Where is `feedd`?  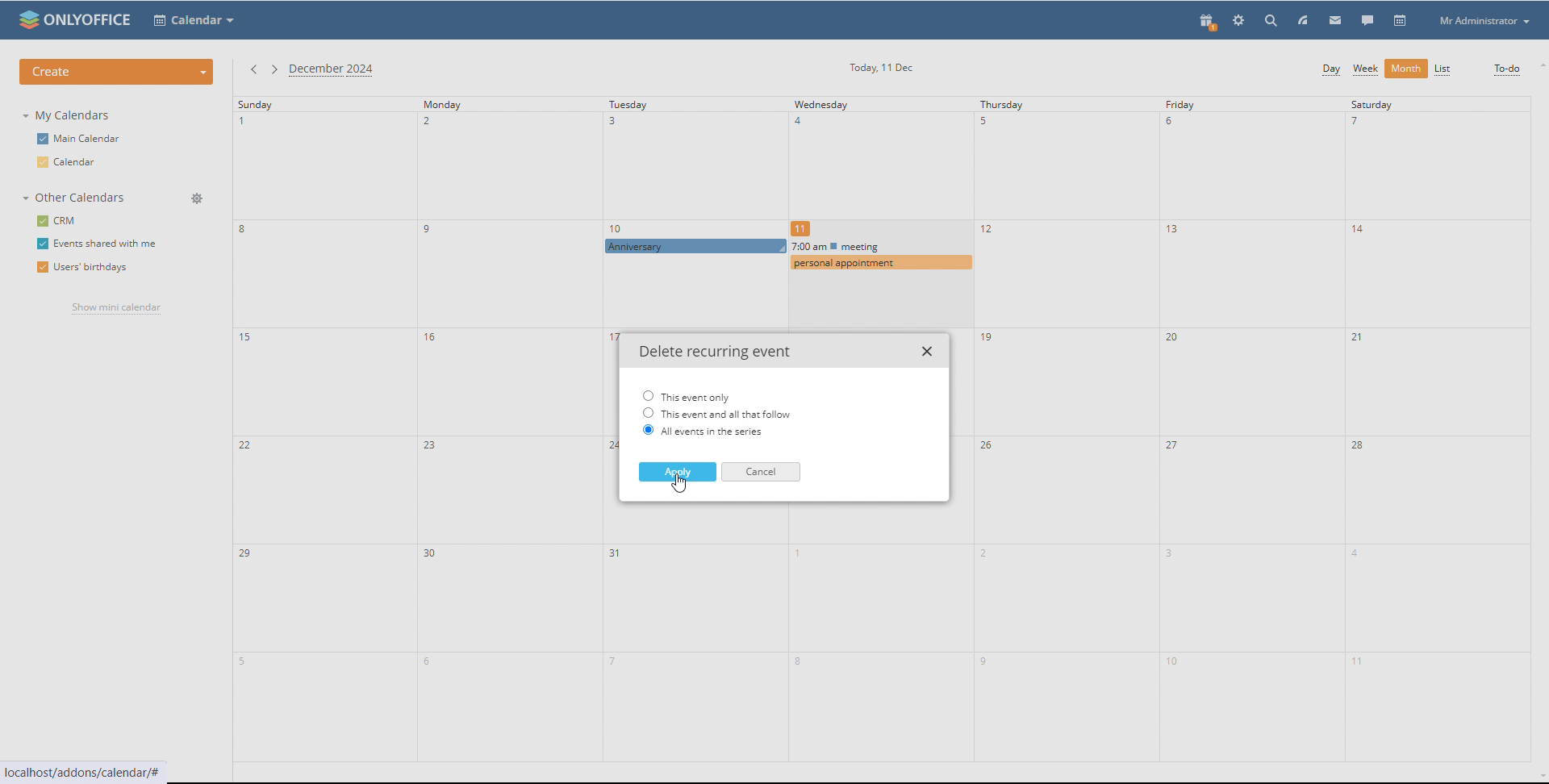 feedd is located at coordinates (1303, 20).